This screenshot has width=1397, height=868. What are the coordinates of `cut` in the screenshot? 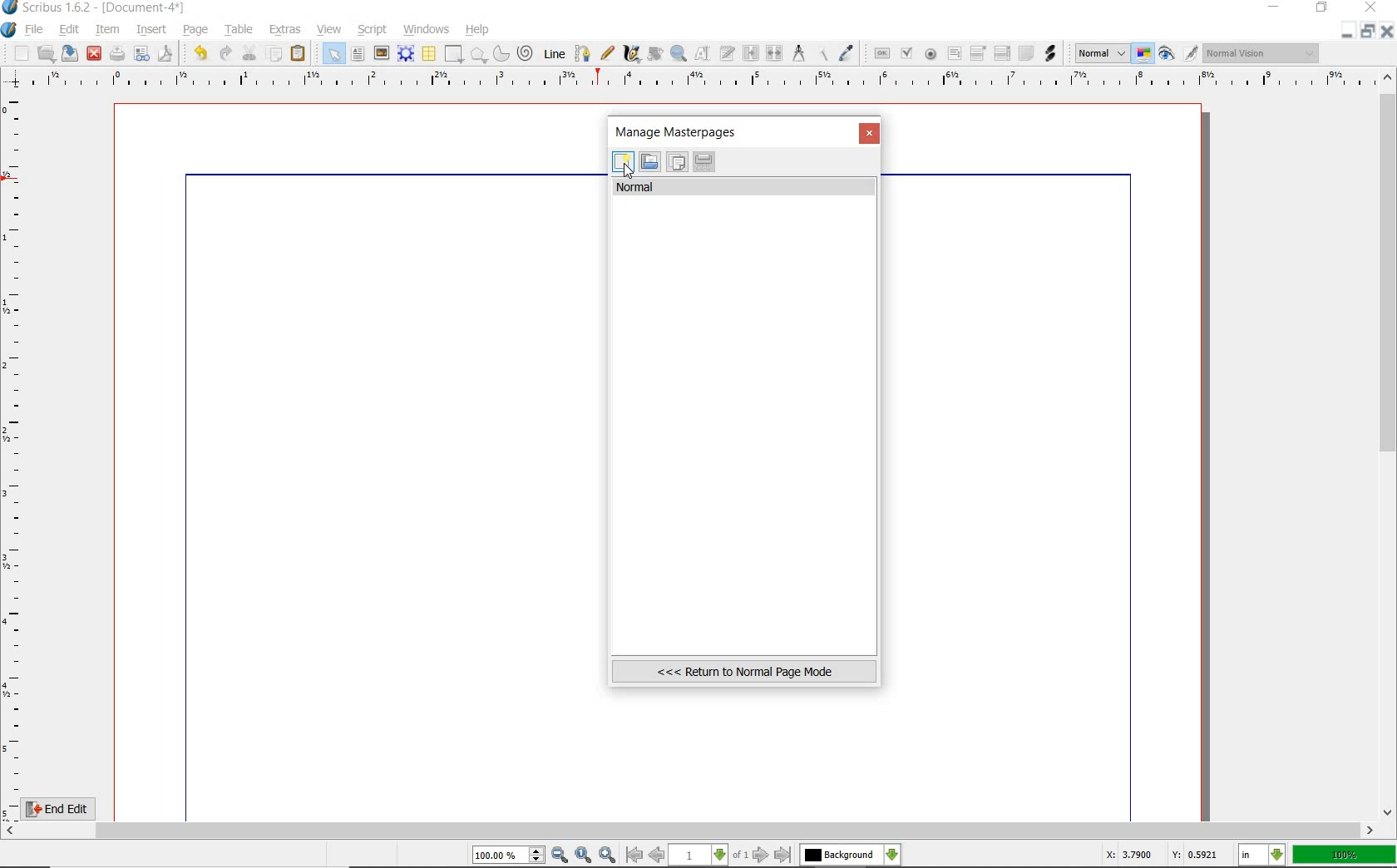 It's located at (249, 52).